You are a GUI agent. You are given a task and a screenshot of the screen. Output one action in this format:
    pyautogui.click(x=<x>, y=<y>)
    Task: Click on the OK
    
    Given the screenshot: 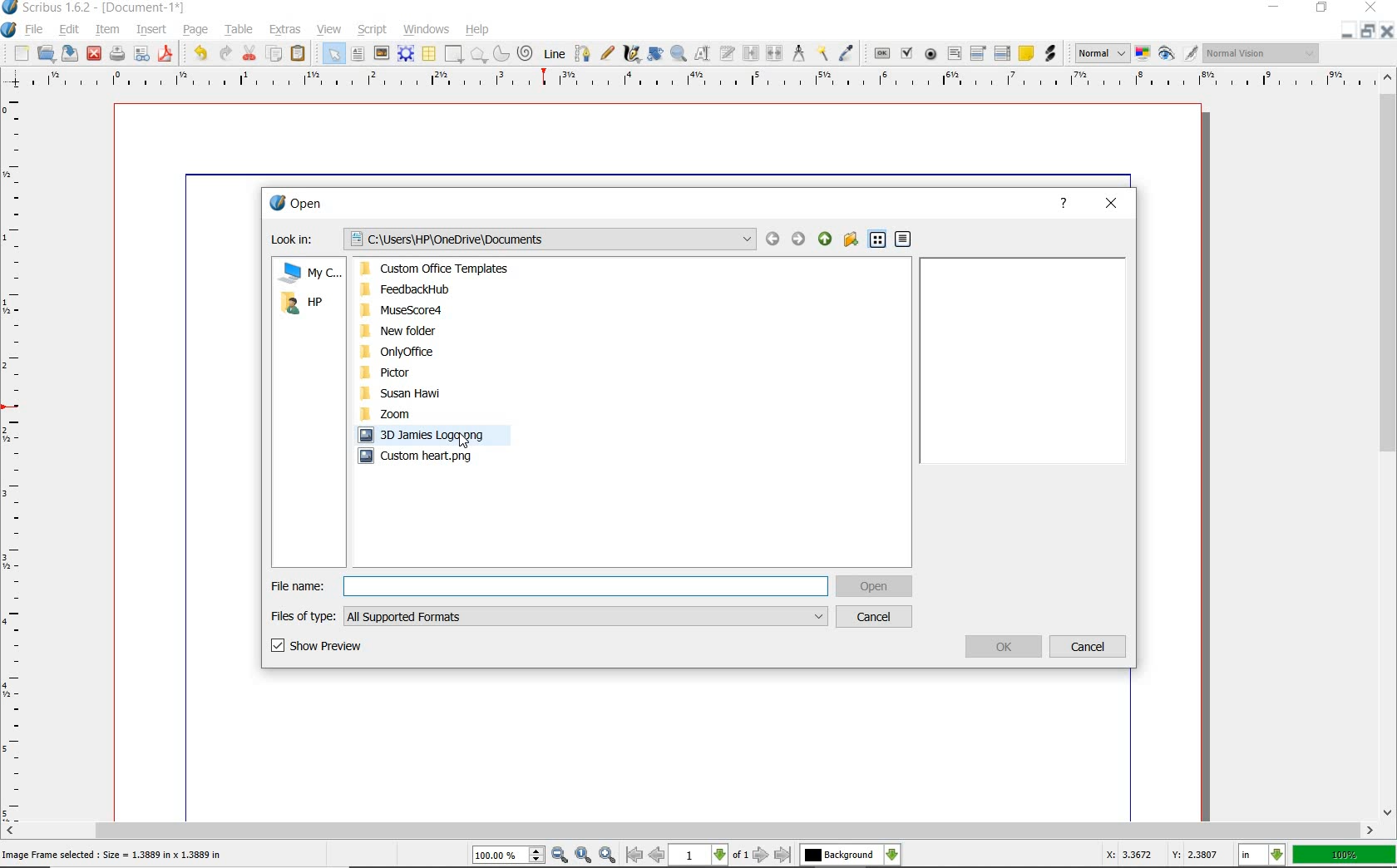 What is the action you would take?
    pyautogui.click(x=1005, y=647)
    